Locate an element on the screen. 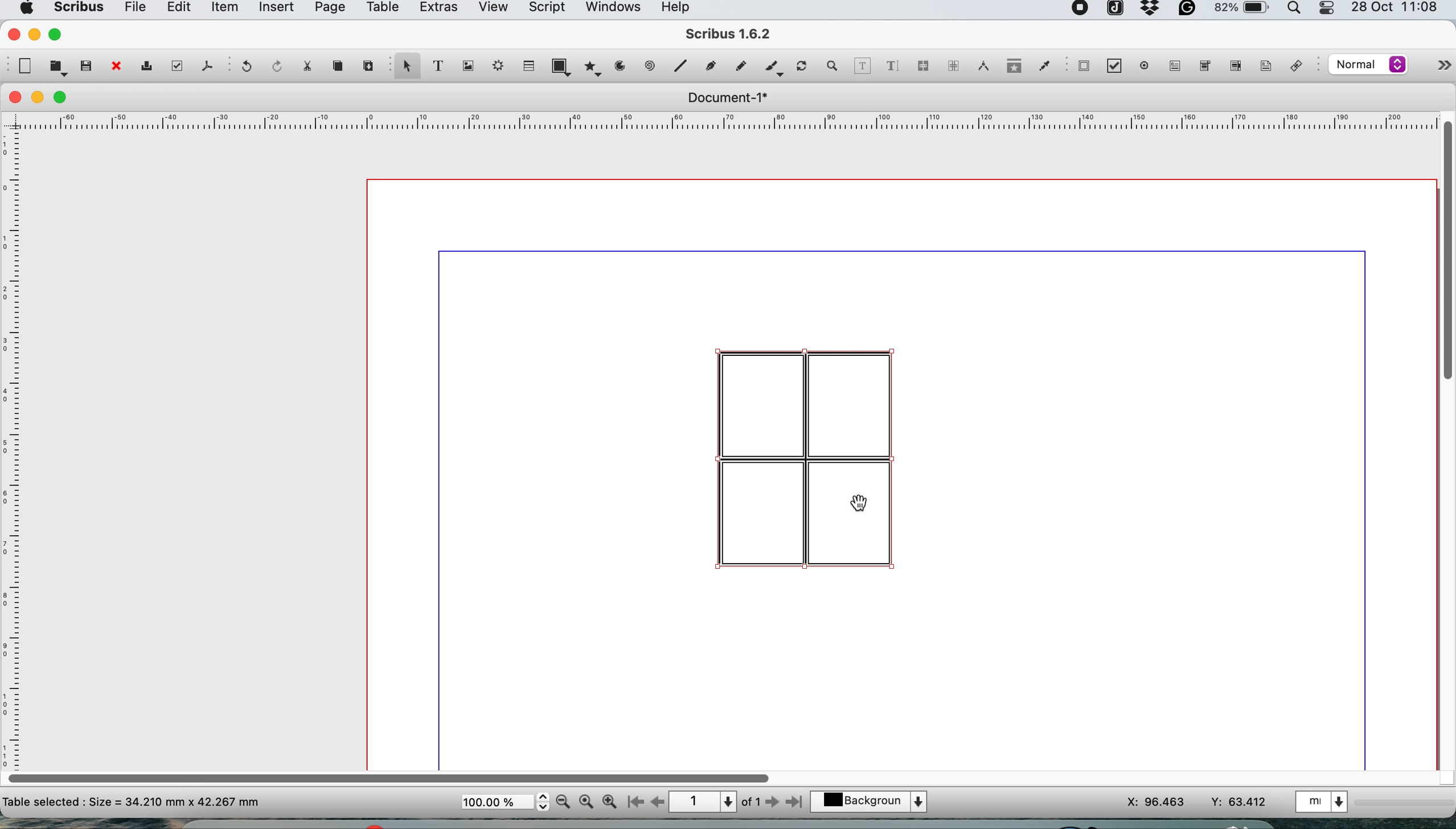  edit text with story mode is located at coordinates (892, 67).